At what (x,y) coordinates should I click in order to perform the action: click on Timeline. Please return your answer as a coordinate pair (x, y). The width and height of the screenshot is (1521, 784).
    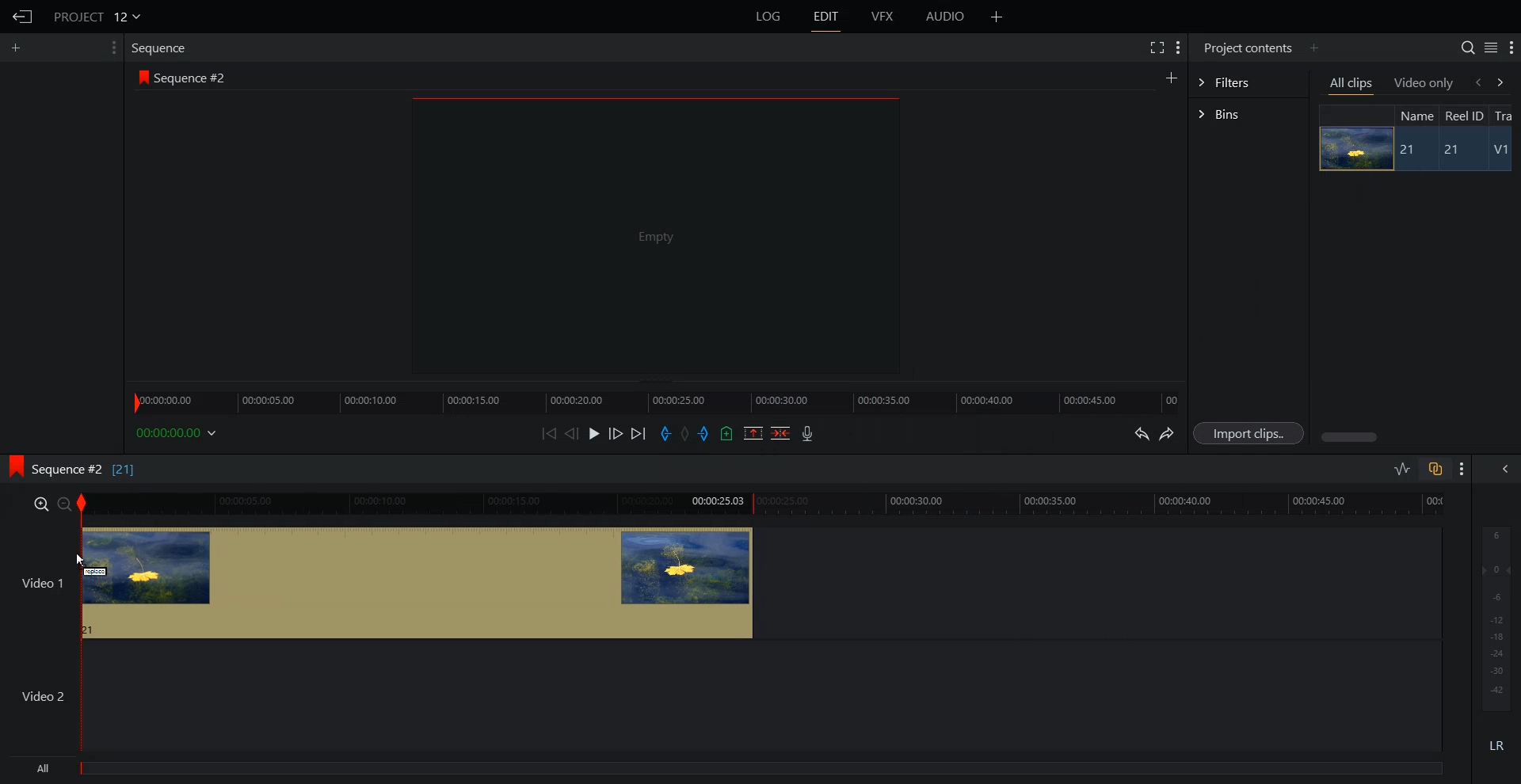
    Looking at the image, I should click on (655, 398).